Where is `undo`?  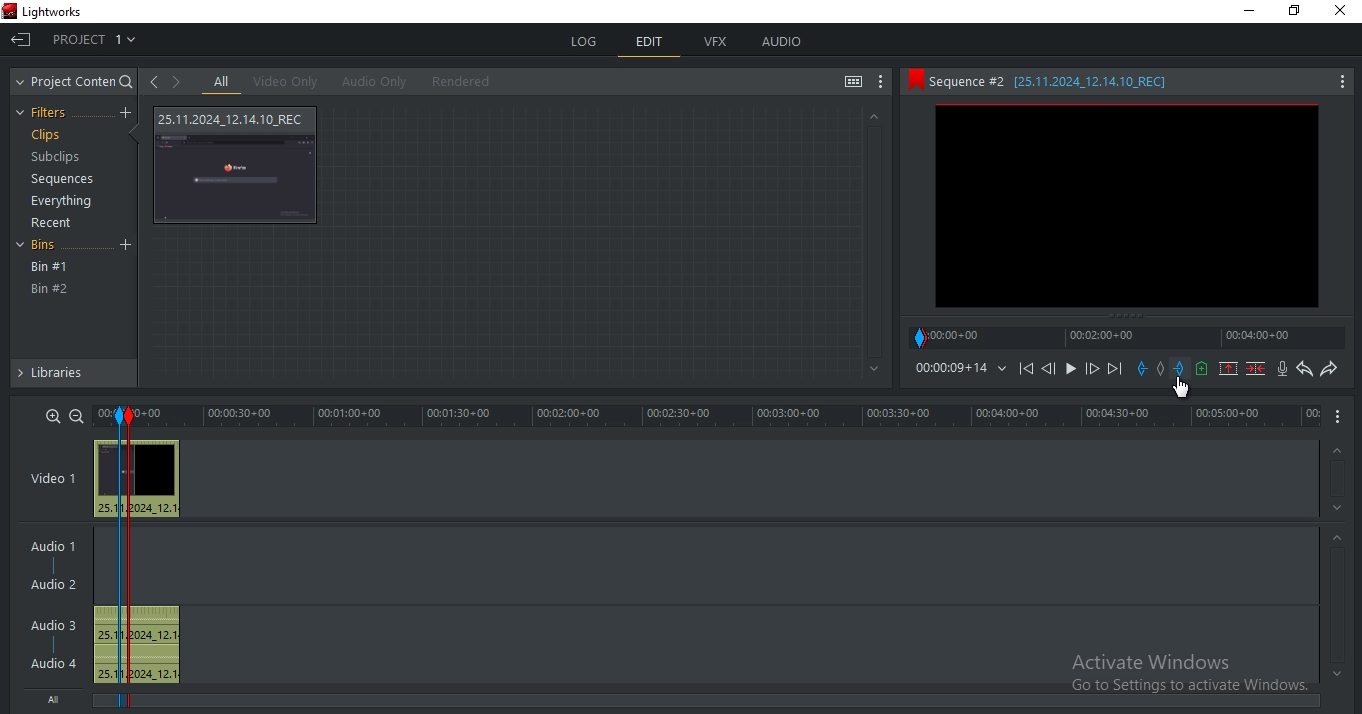
undo is located at coordinates (1305, 369).